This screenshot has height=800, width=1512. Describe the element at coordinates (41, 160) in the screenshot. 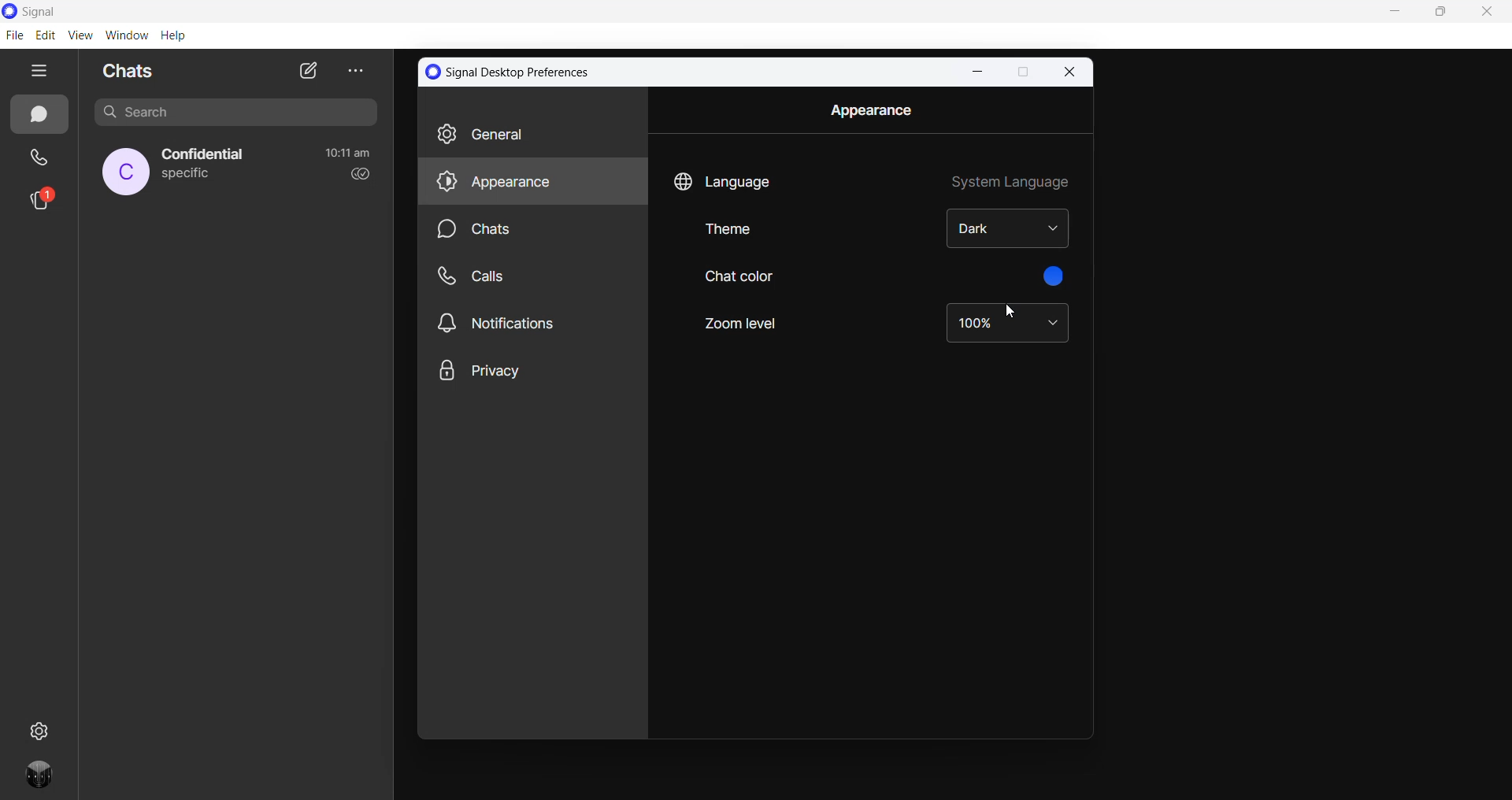

I see `calls` at that location.